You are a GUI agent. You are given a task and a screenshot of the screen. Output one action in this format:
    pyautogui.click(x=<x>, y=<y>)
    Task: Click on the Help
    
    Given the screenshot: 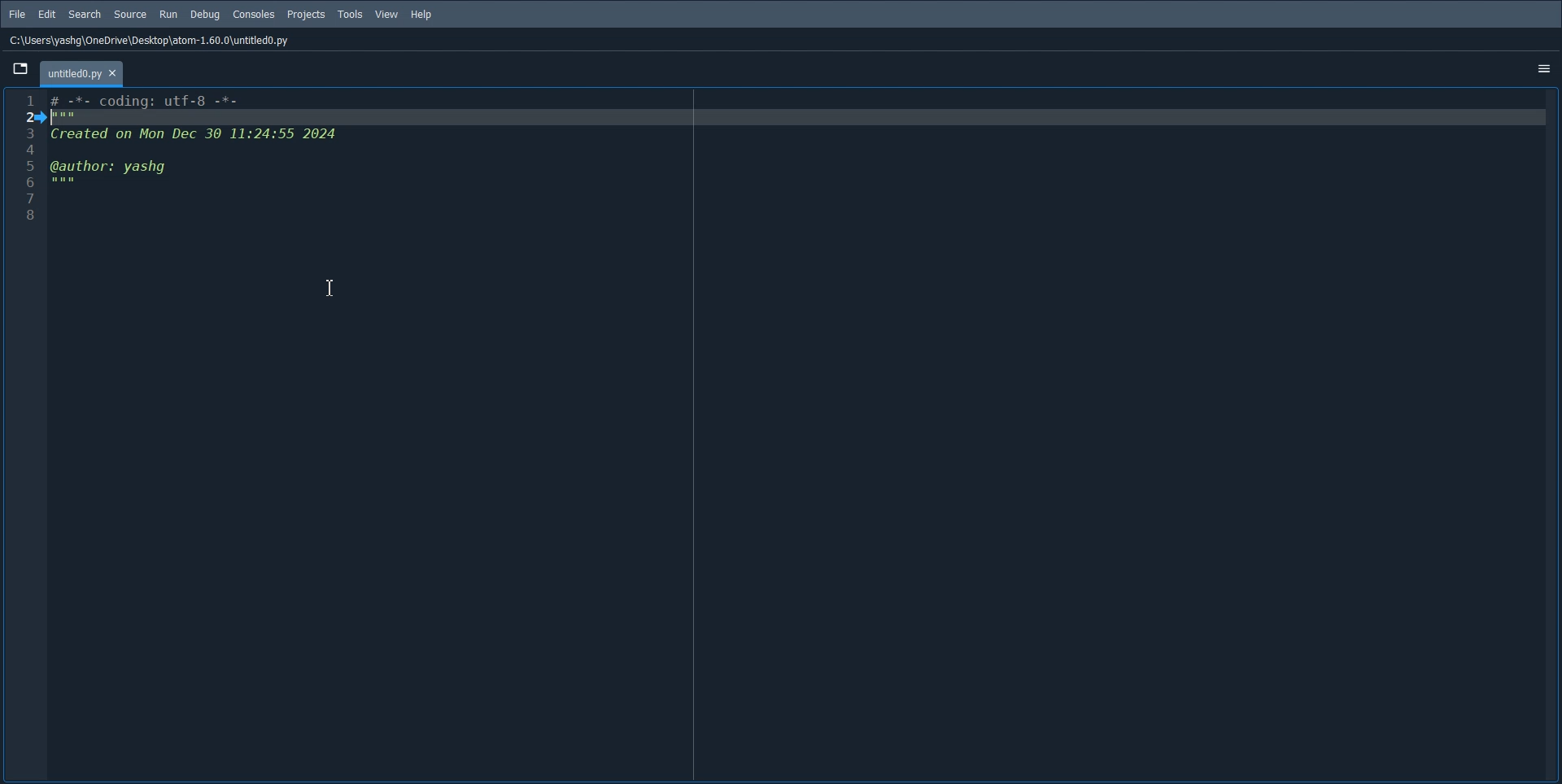 What is the action you would take?
    pyautogui.click(x=421, y=14)
    